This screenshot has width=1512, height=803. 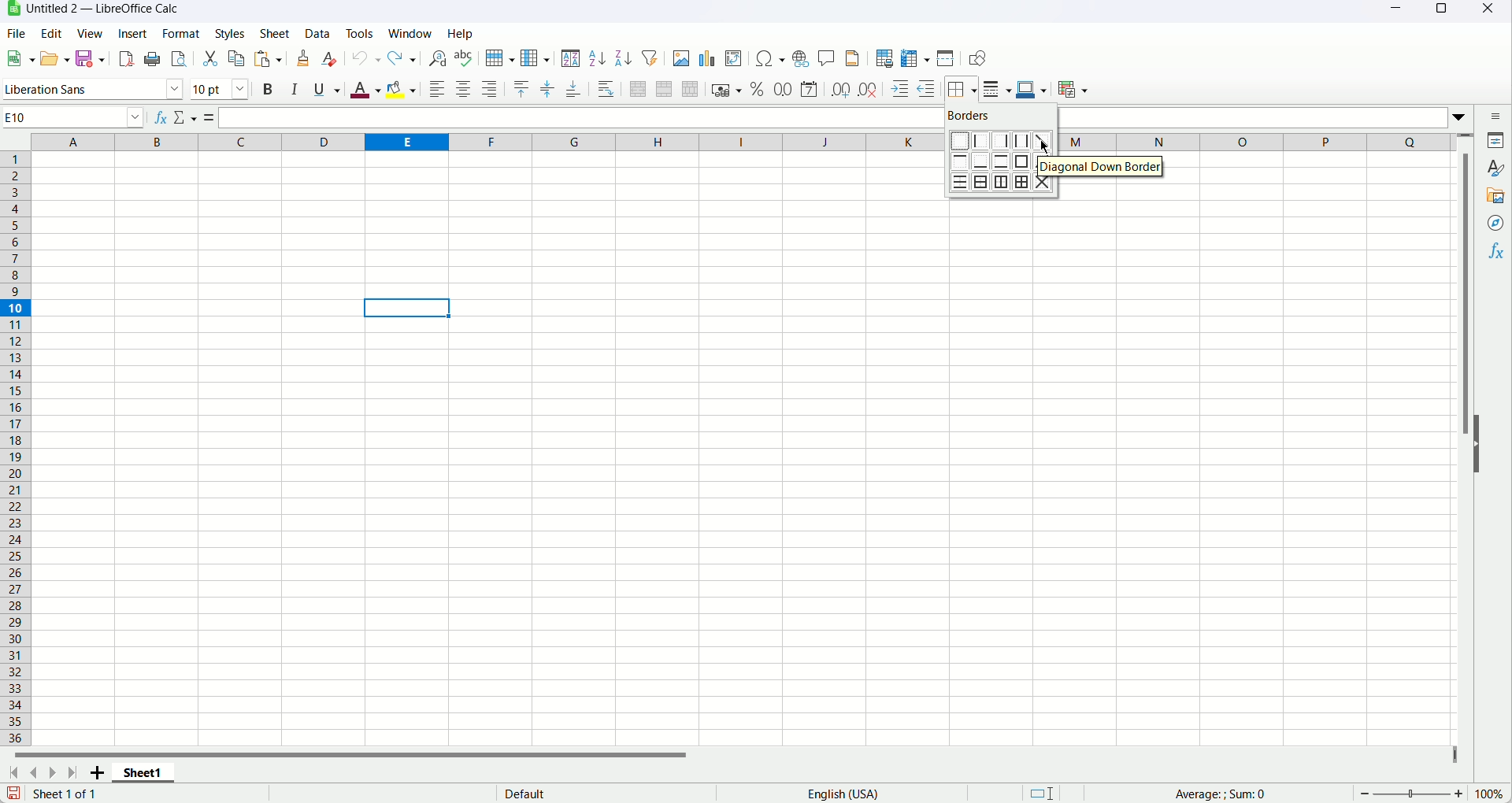 What do you see at coordinates (96, 774) in the screenshot?
I see `Add new sheet` at bounding box center [96, 774].